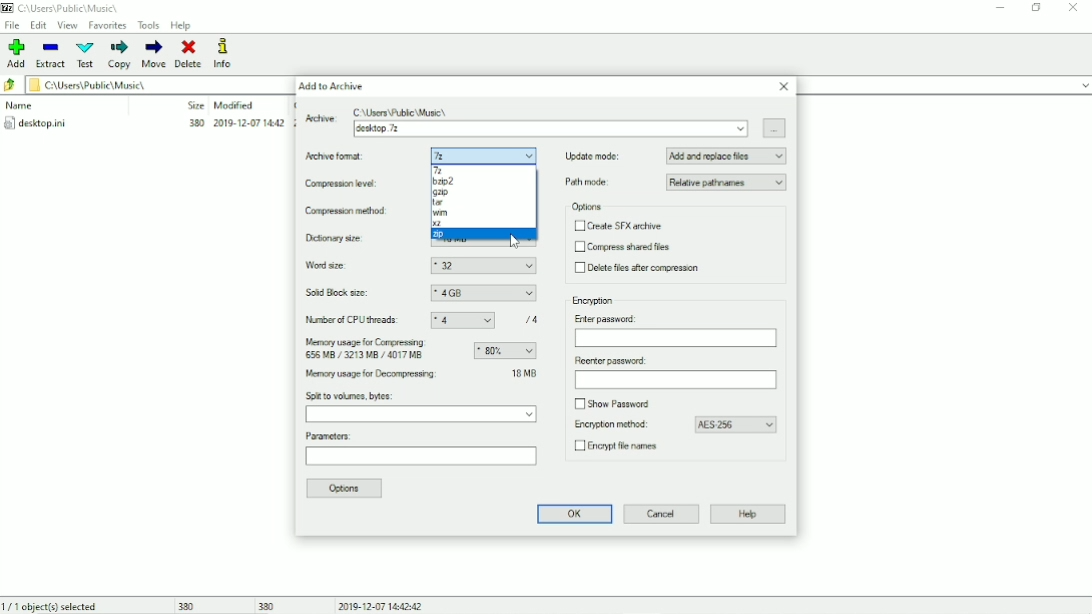  What do you see at coordinates (421, 376) in the screenshot?
I see `Memory usage for Decompressing` at bounding box center [421, 376].